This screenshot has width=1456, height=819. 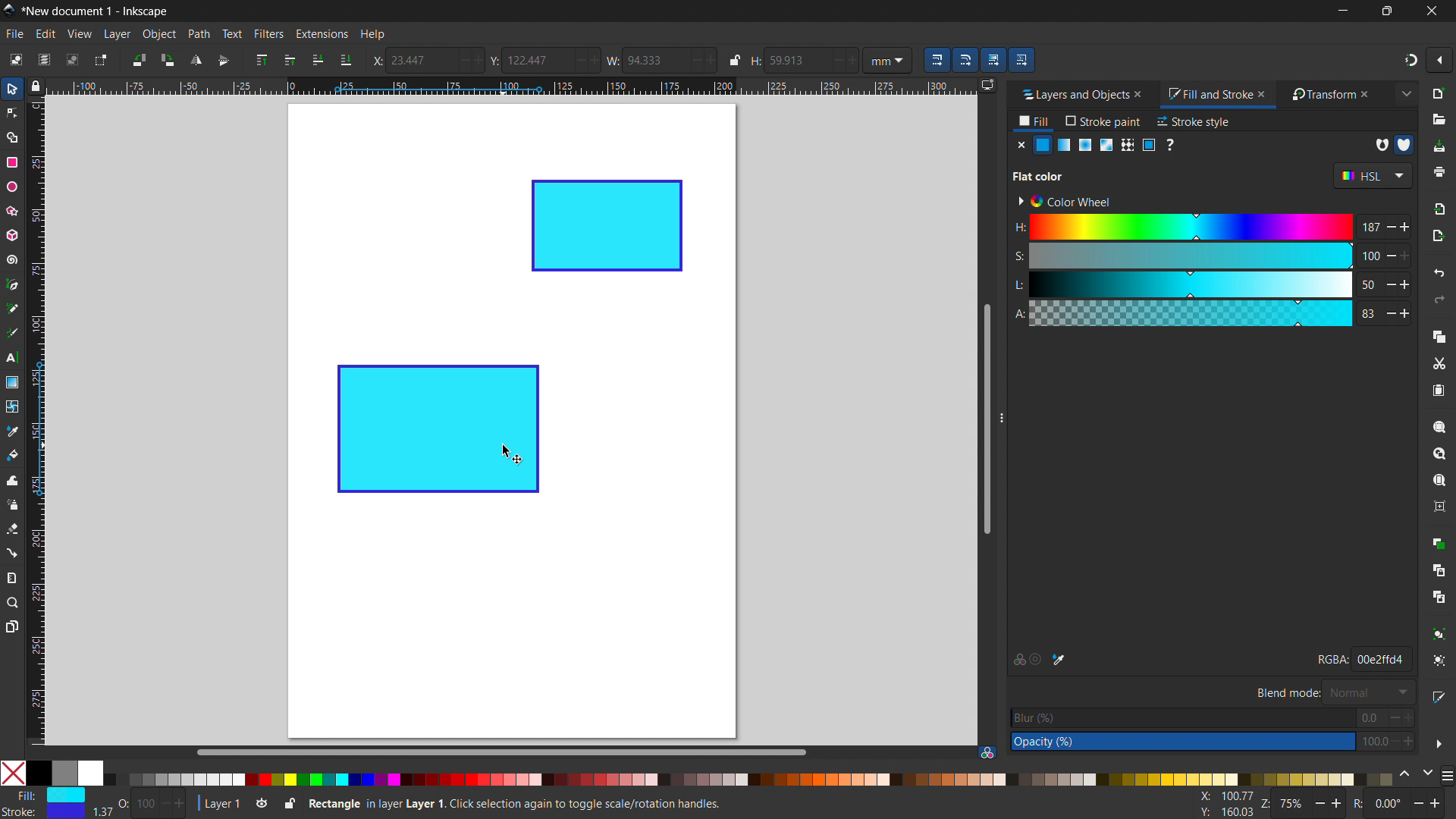 What do you see at coordinates (36, 86) in the screenshot?
I see `toggle lock of all guuides in the document` at bounding box center [36, 86].